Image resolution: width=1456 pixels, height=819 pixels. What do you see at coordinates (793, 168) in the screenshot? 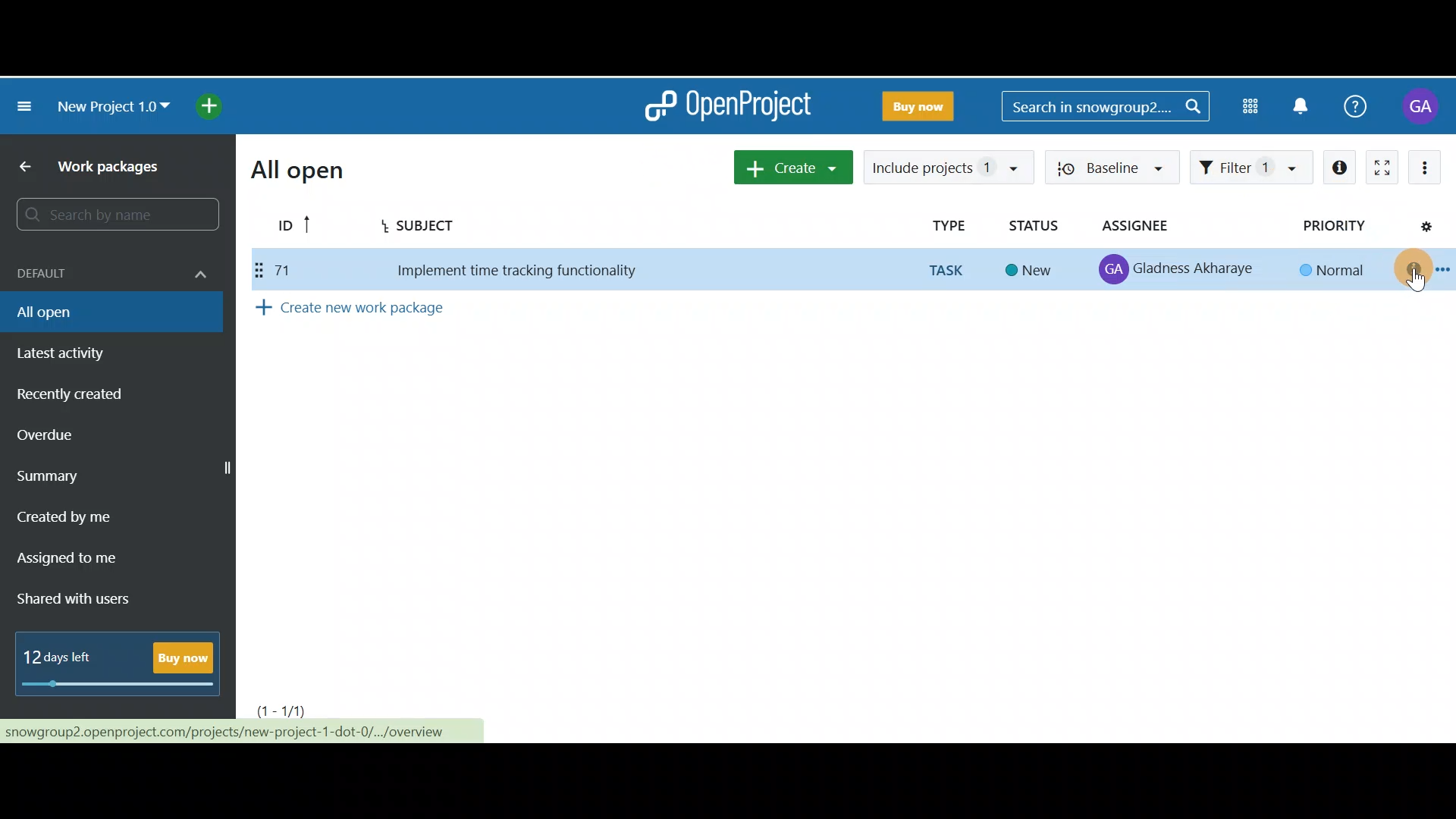
I see `Create` at bounding box center [793, 168].